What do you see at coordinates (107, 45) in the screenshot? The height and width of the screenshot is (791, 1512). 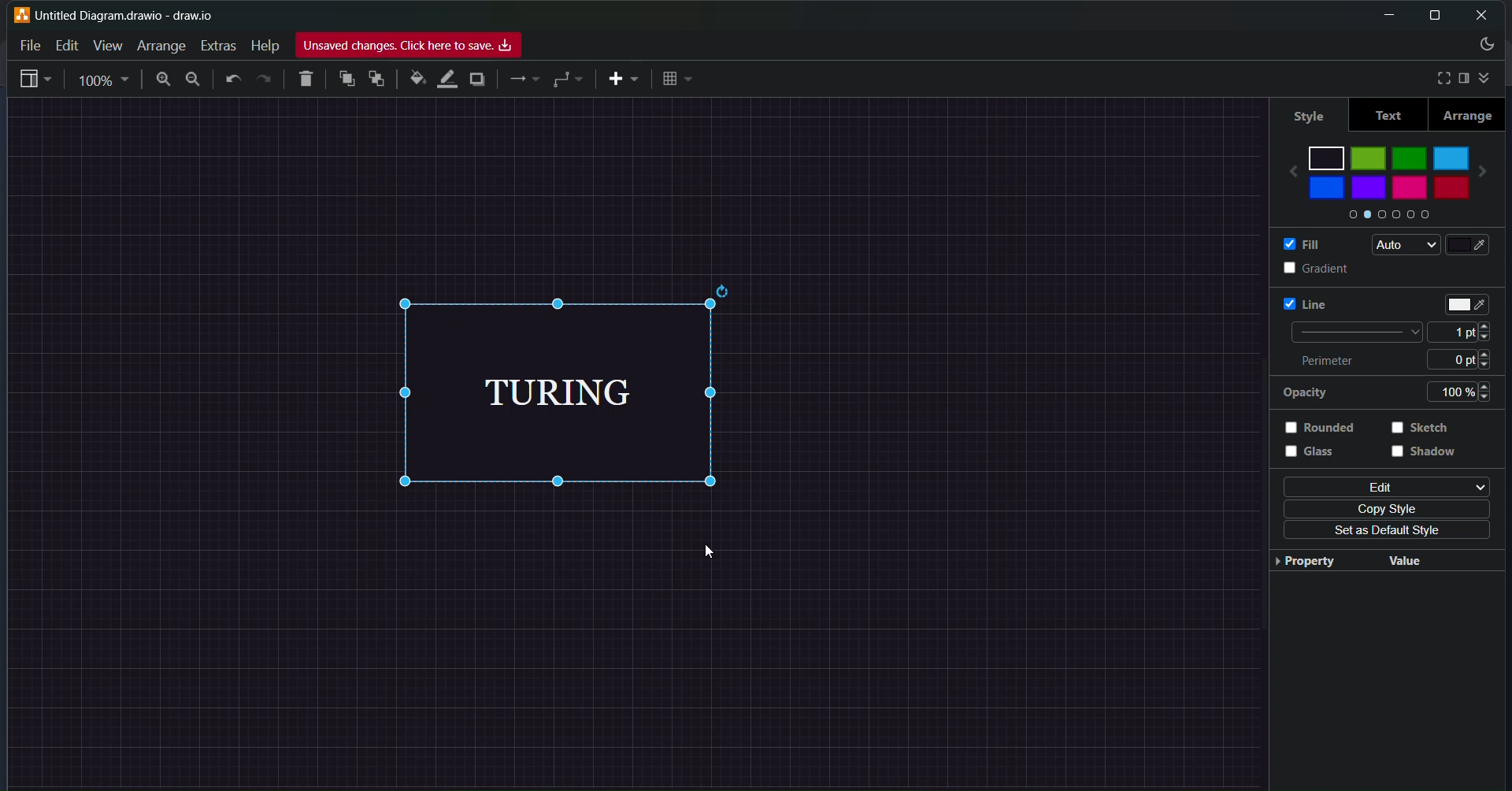 I see `View` at bounding box center [107, 45].